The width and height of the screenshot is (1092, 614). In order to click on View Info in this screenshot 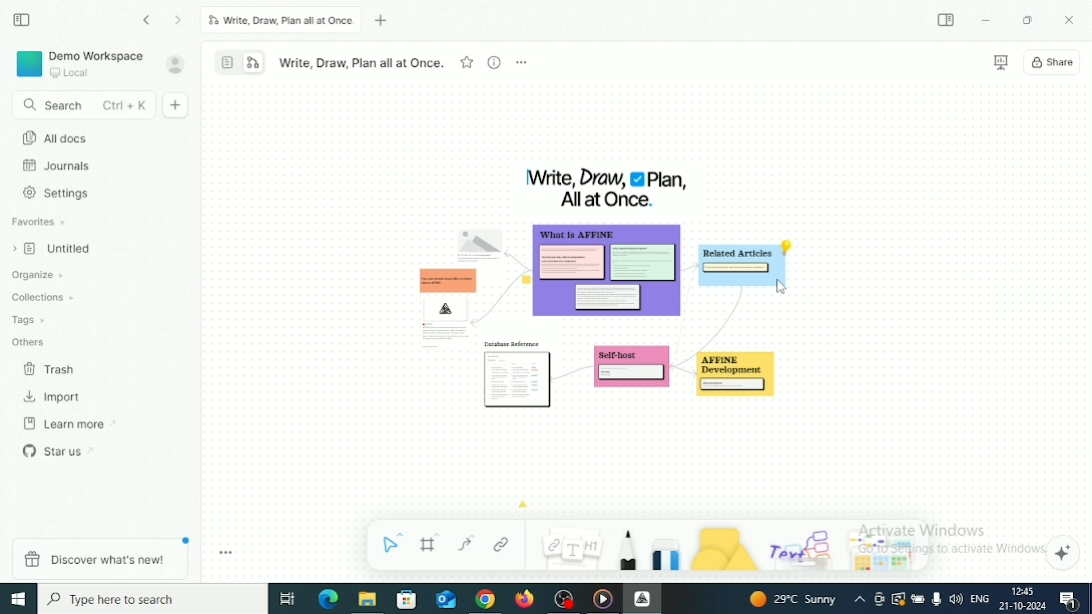, I will do `click(493, 62)`.